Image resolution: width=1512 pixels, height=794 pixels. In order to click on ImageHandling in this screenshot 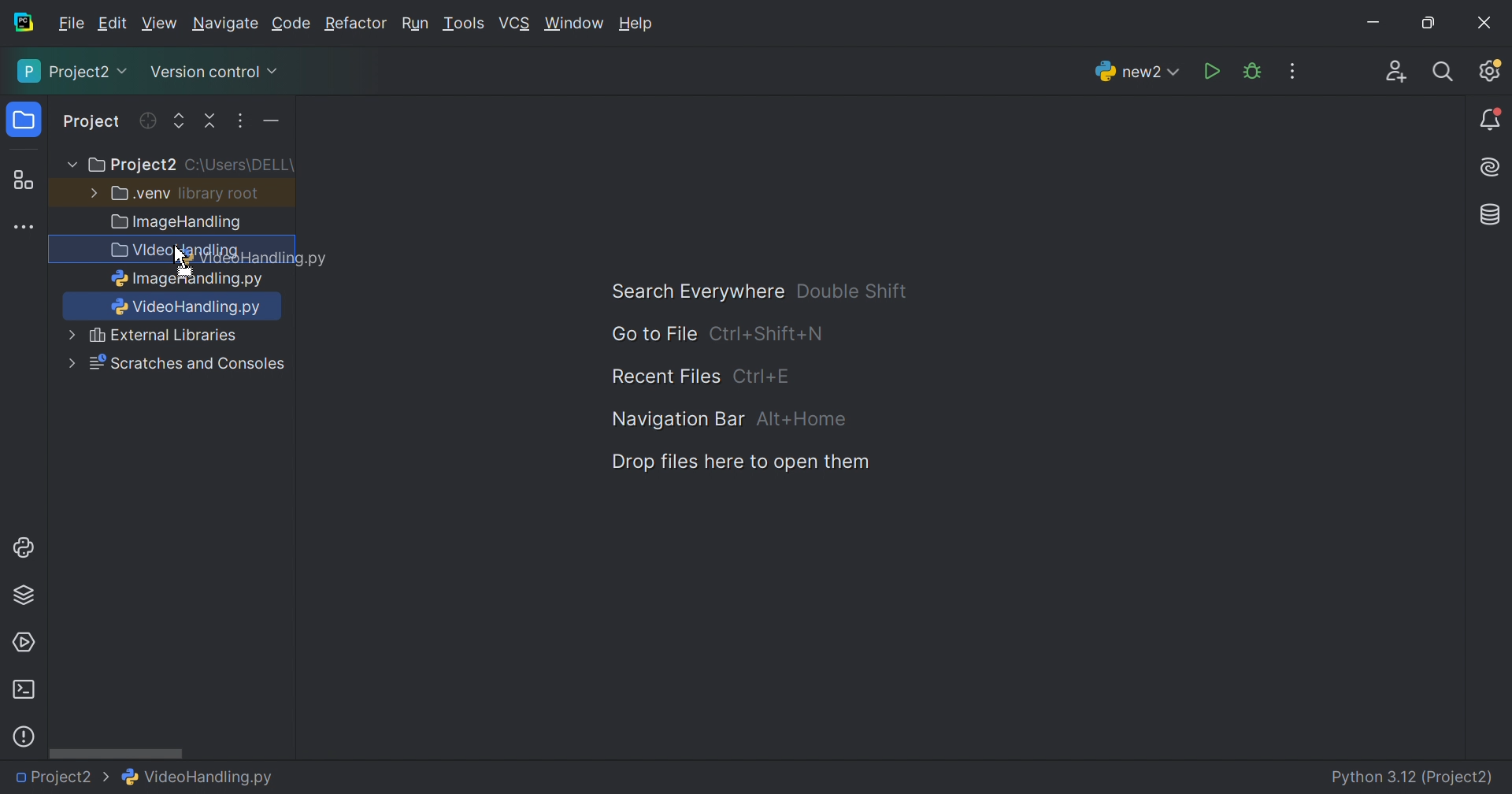, I will do `click(188, 279)`.